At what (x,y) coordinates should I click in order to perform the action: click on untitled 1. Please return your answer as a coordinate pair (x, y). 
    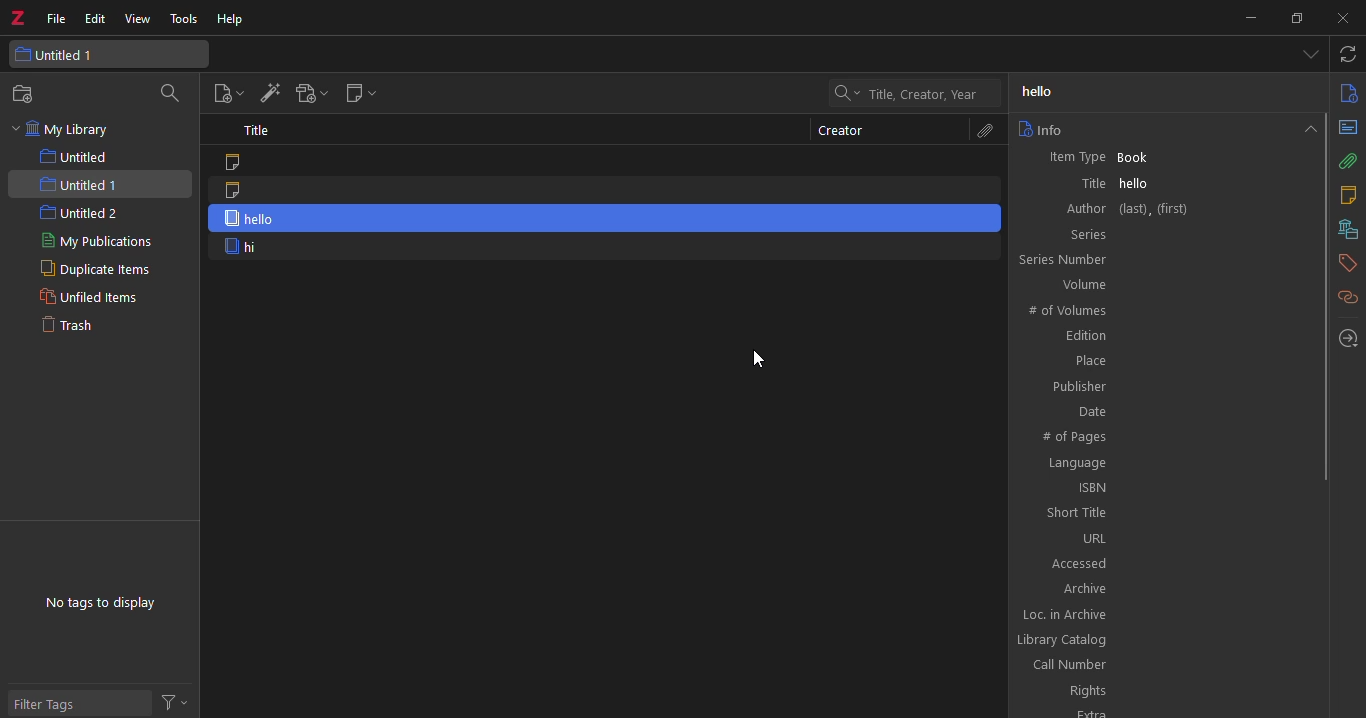
    Looking at the image, I should click on (110, 54).